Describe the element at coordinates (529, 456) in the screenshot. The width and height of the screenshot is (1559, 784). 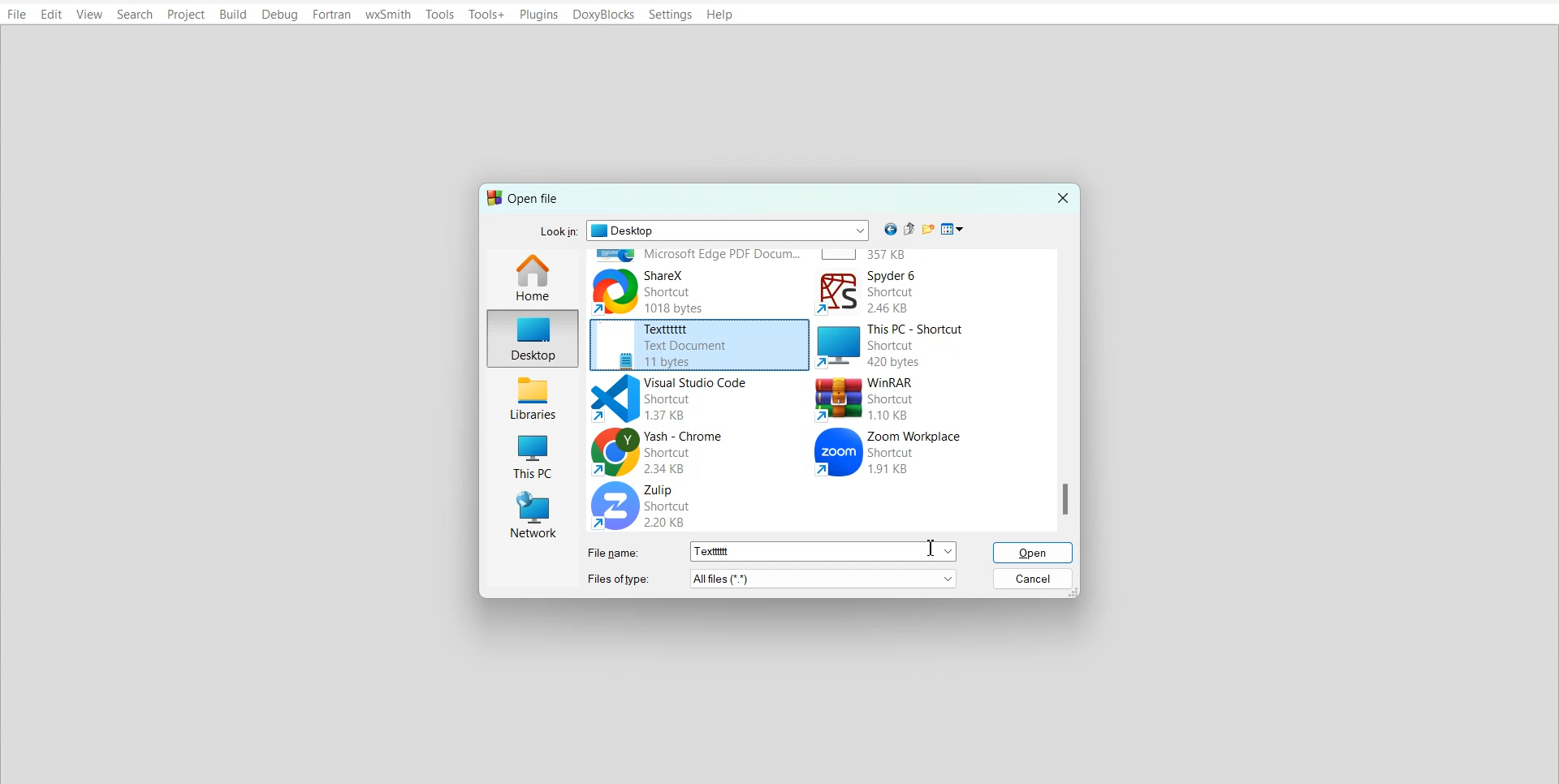
I see `This PC` at that location.